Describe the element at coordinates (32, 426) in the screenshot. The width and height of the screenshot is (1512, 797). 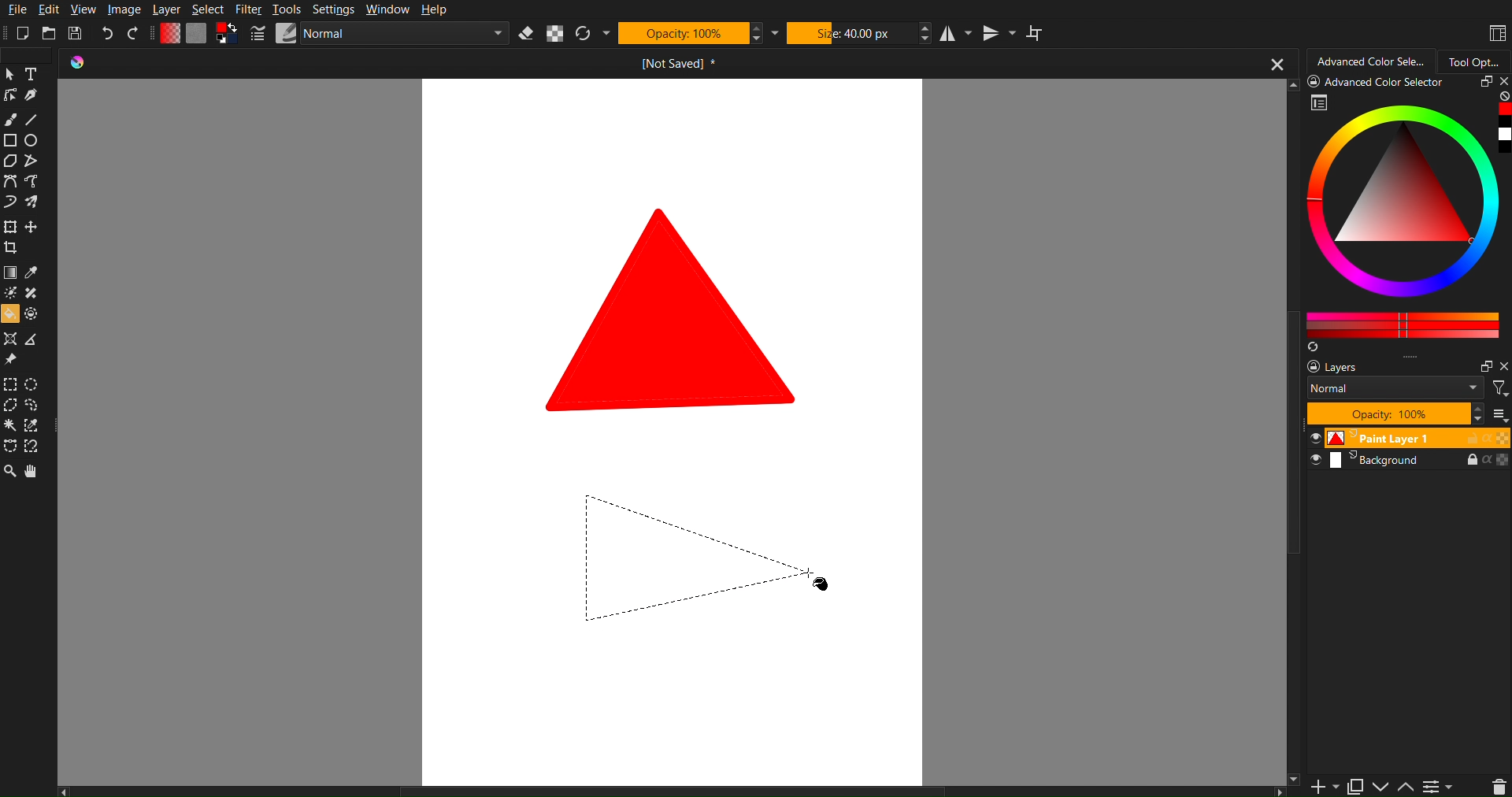
I see `Selection dropper` at that location.